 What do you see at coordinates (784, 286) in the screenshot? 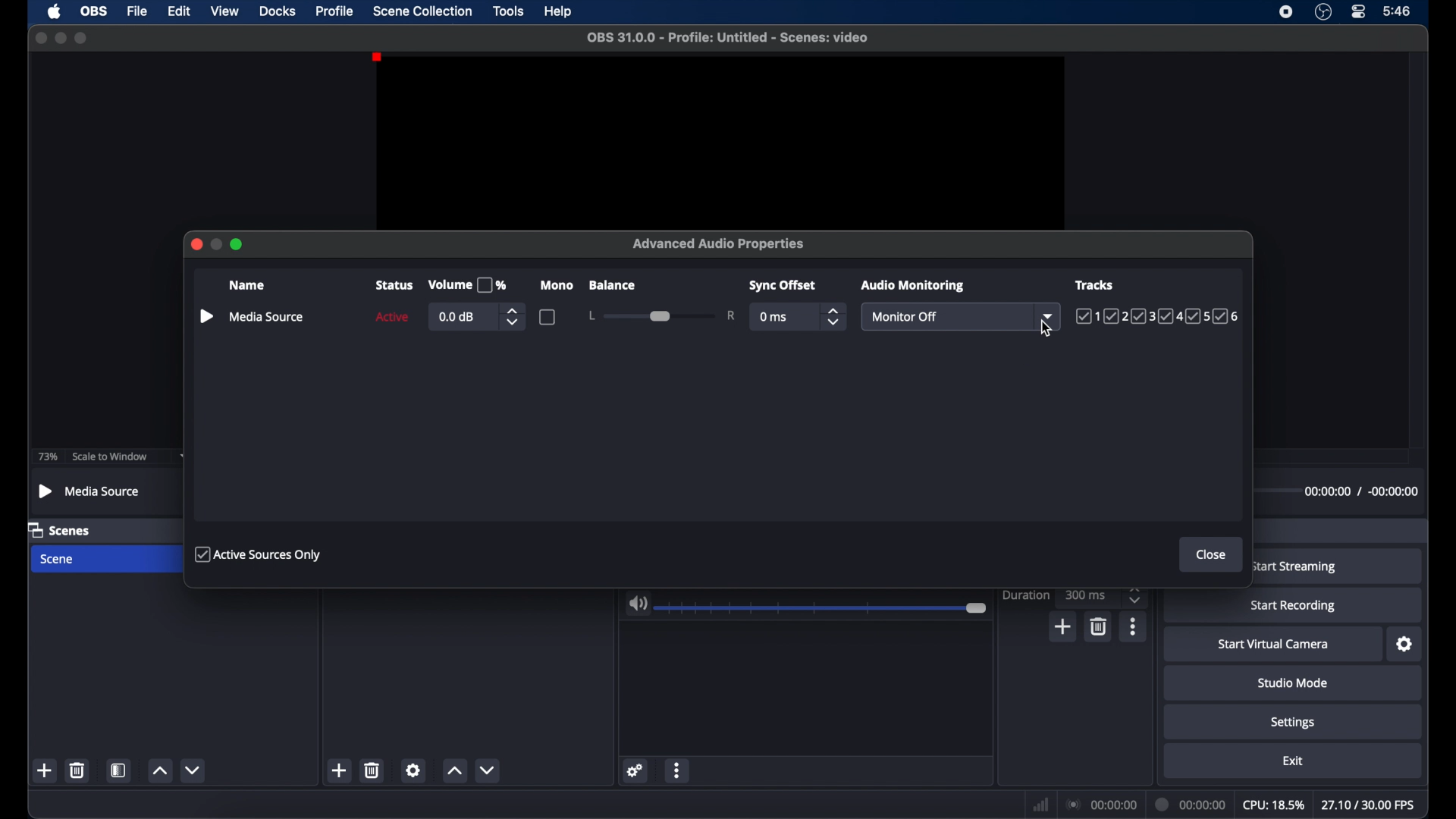
I see `sync offset` at bounding box center [784, 286].